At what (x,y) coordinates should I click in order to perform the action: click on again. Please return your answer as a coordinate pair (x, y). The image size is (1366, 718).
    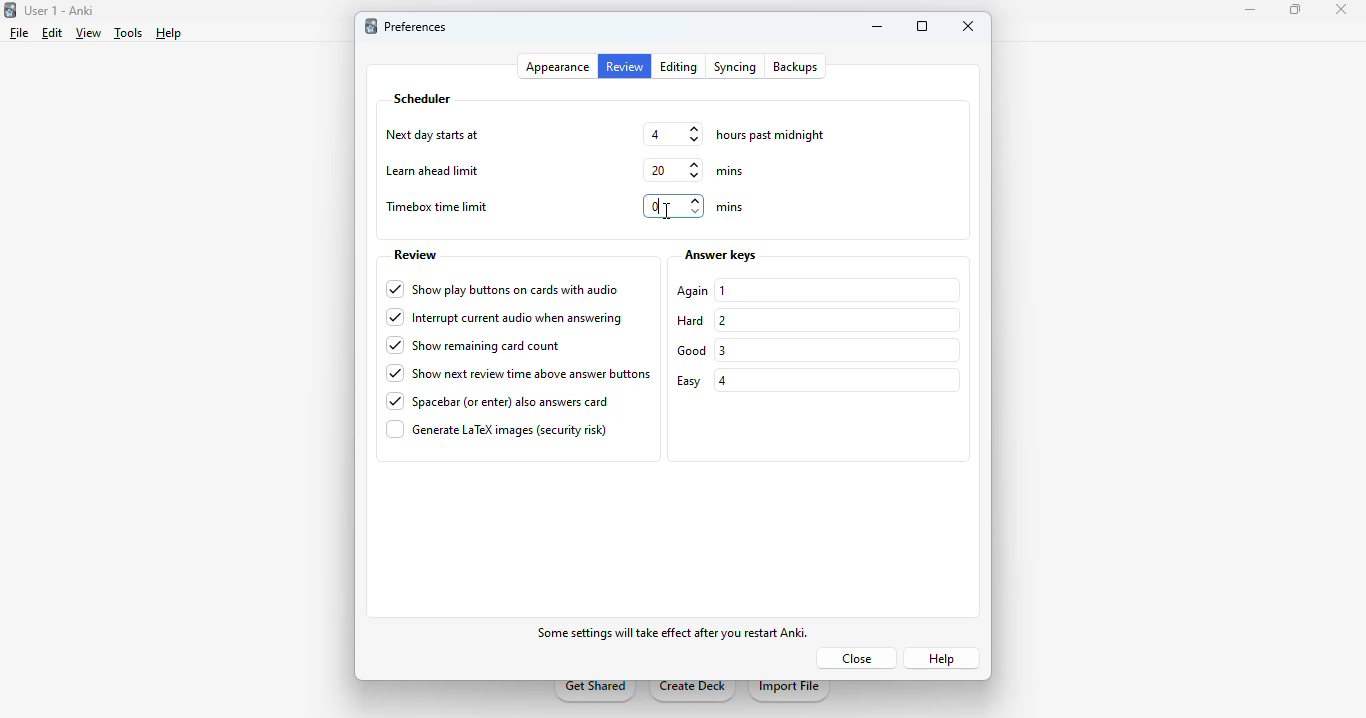
    Looking at the image, I should click on (693, 291).